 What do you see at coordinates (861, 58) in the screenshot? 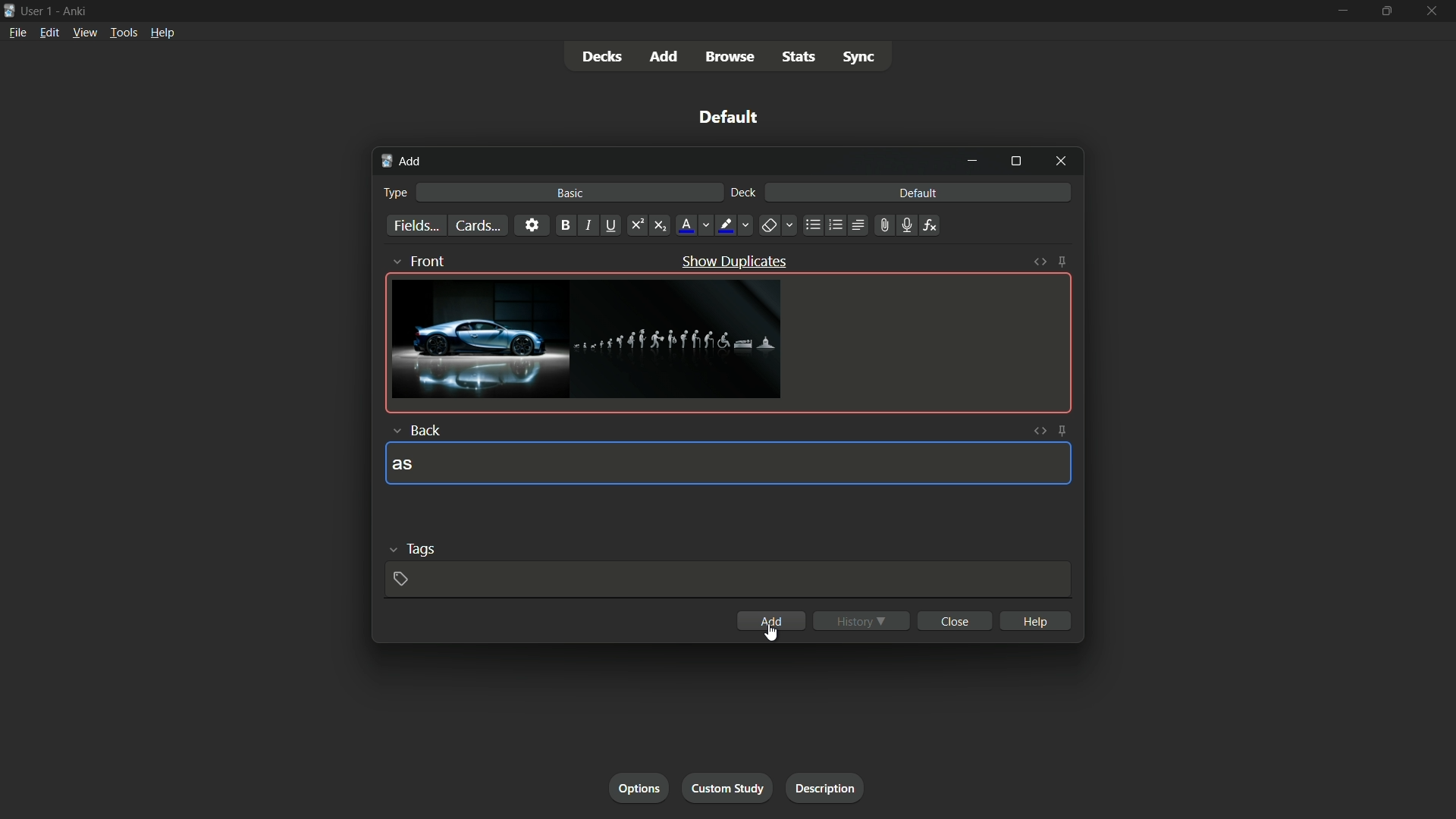
I see `sync` at bounding box center [861, 58].